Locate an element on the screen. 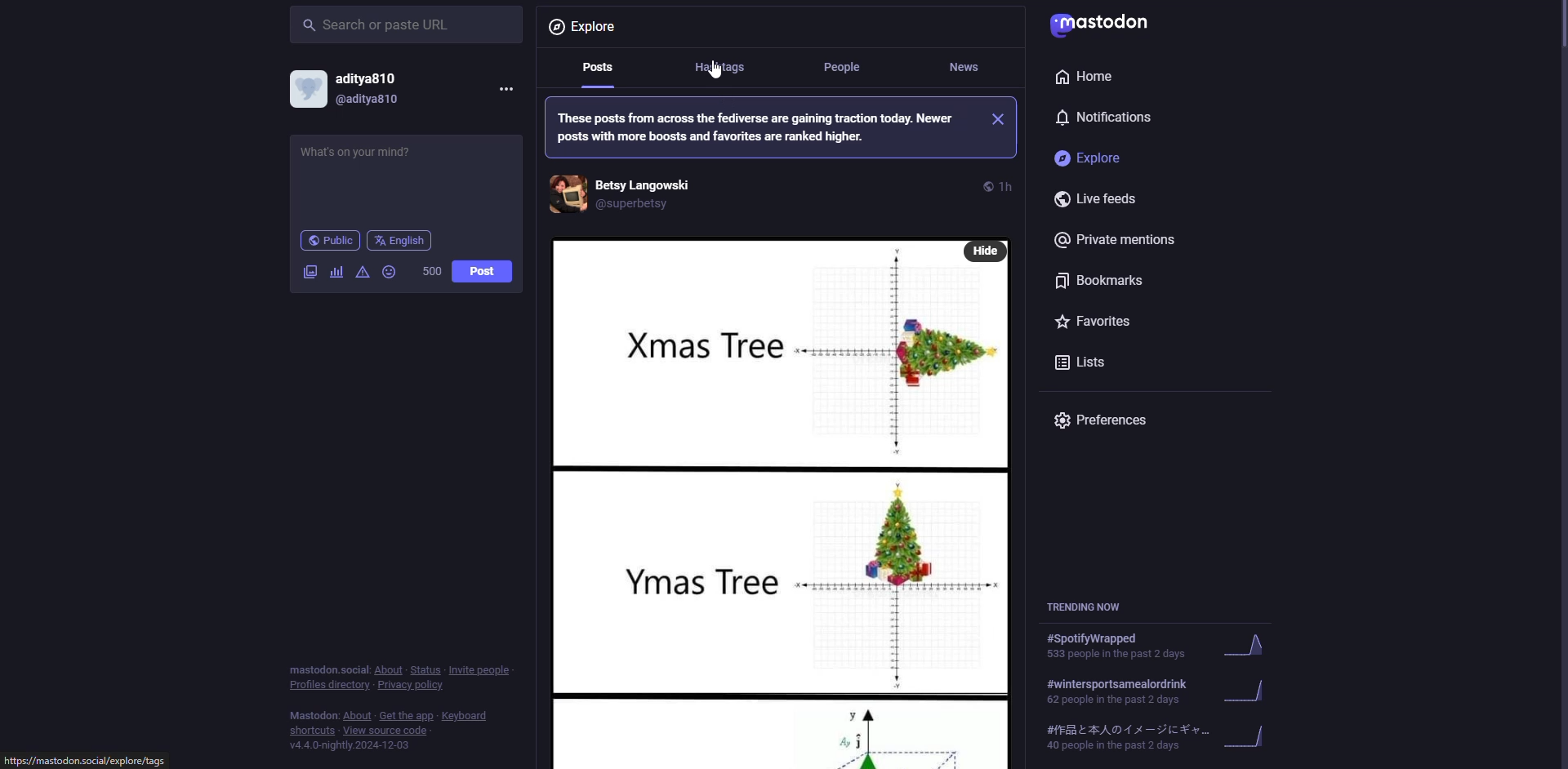  live feeds is located at coordinates (1102, 198).